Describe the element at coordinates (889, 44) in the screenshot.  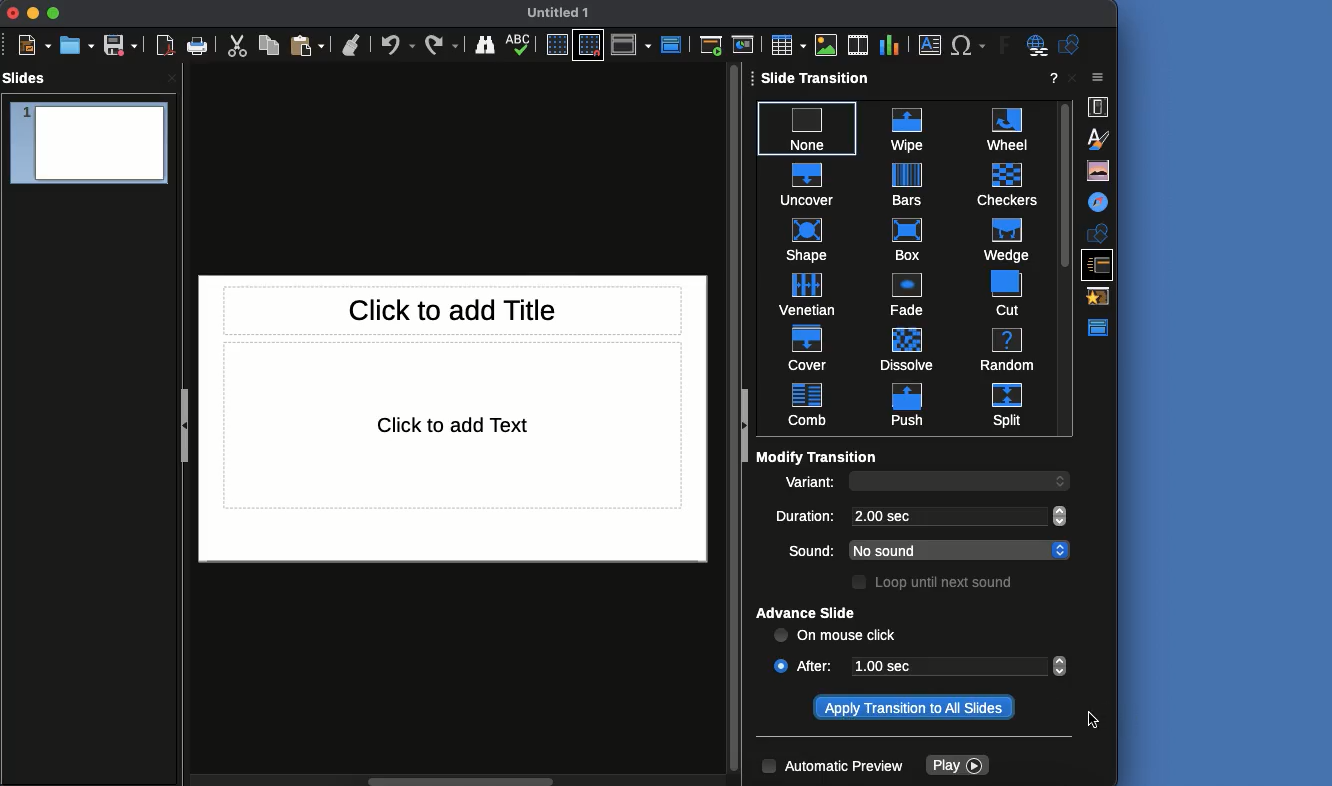
I see `Chart` at that location.